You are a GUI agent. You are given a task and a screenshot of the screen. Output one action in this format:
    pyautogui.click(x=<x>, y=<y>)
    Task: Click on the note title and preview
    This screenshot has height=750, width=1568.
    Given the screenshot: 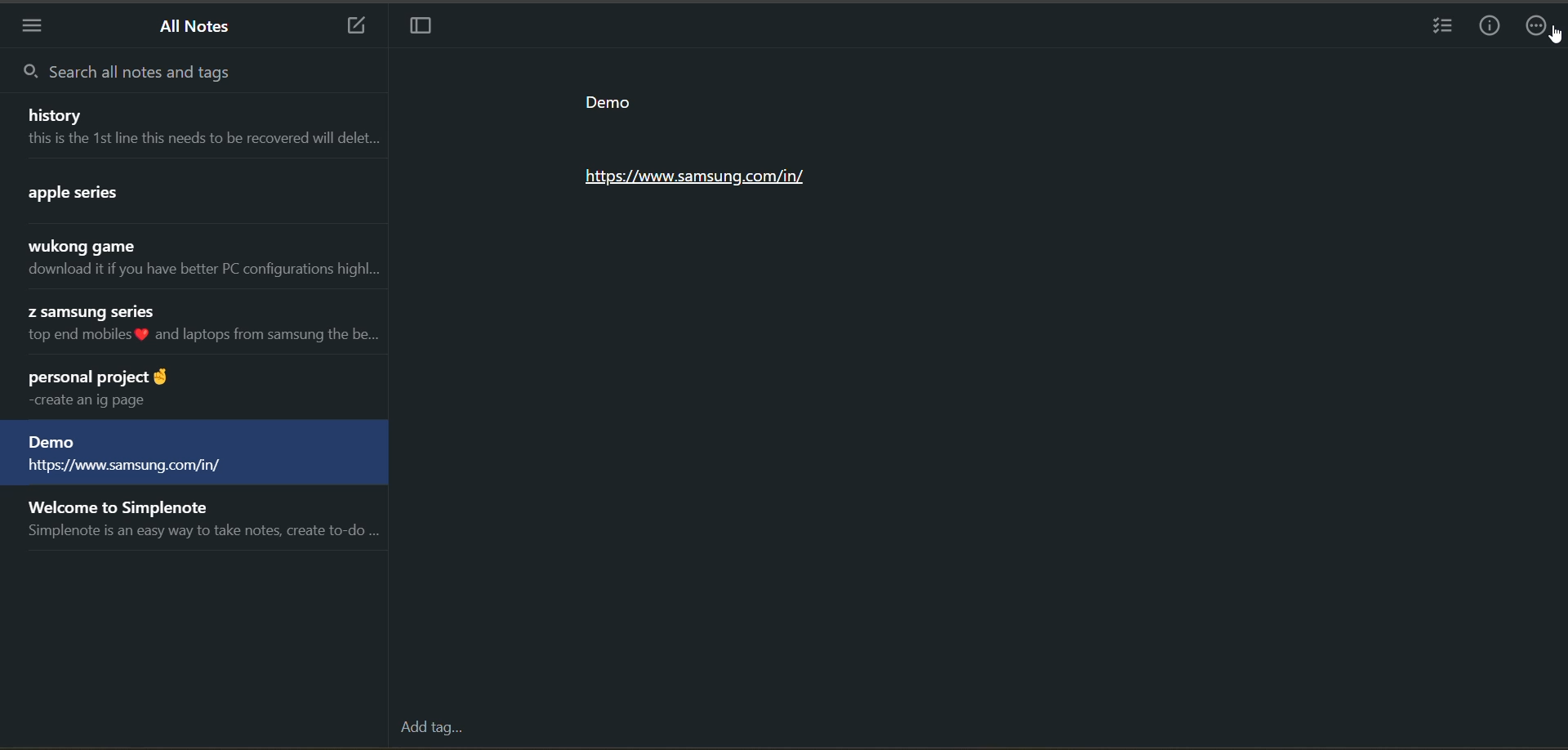 What is the action you would take?
    pyautogui.click(x=194, y=454)
    